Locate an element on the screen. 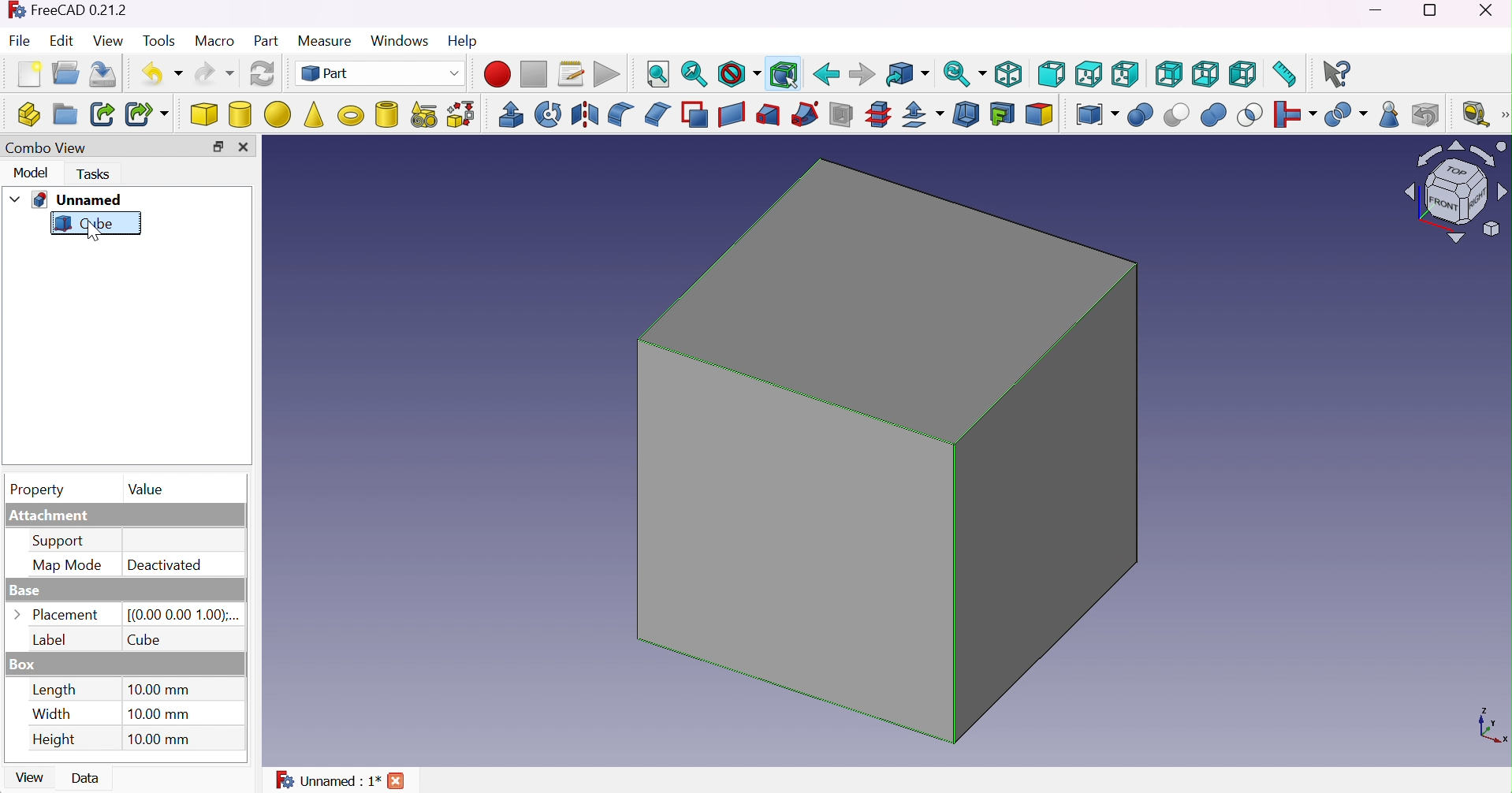 This screenshot has width=1512, height=793. Cube is located at coordinates (205, 114).